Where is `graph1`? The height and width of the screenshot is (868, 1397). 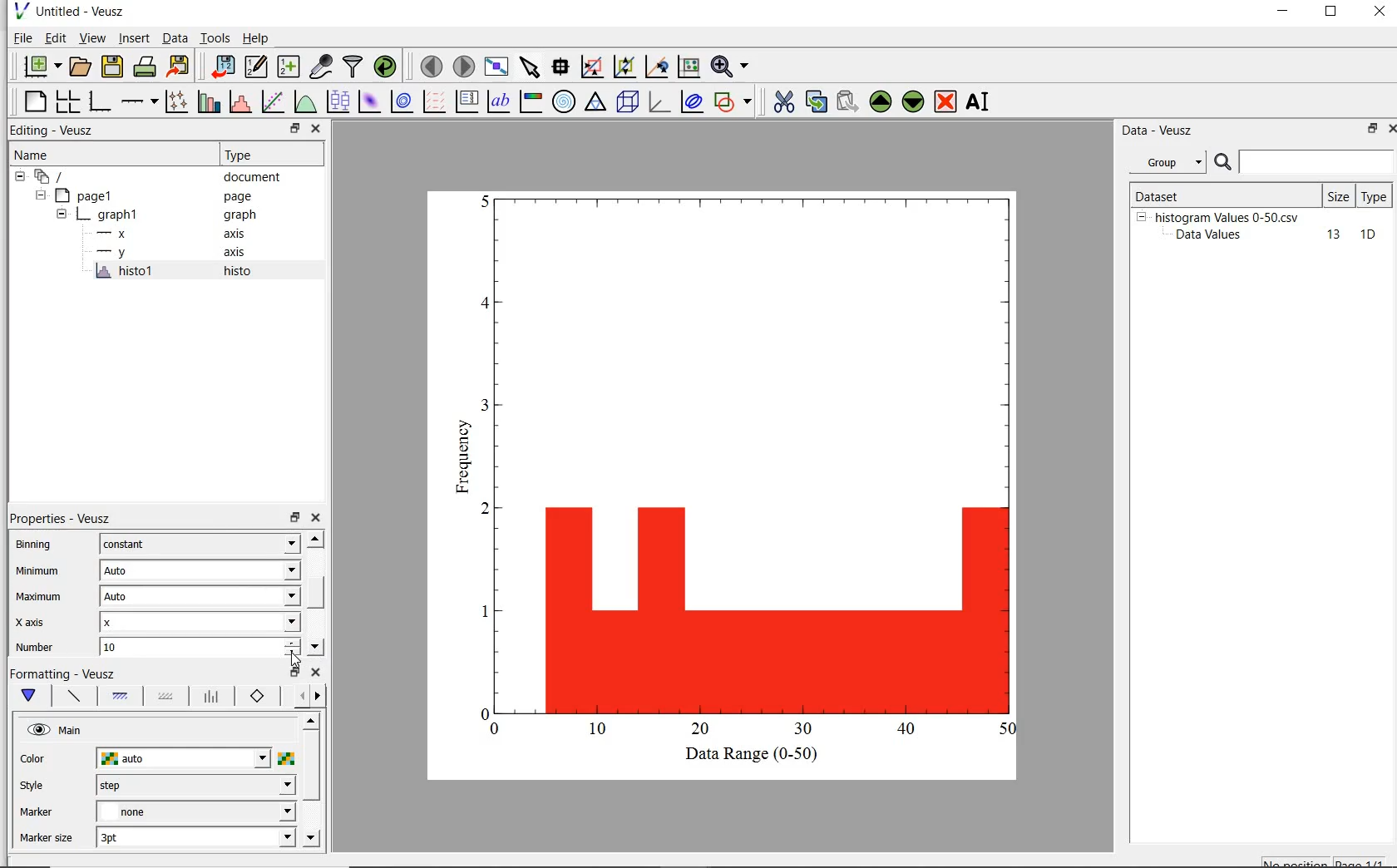 graph1 is located at coordinates (111, 217).